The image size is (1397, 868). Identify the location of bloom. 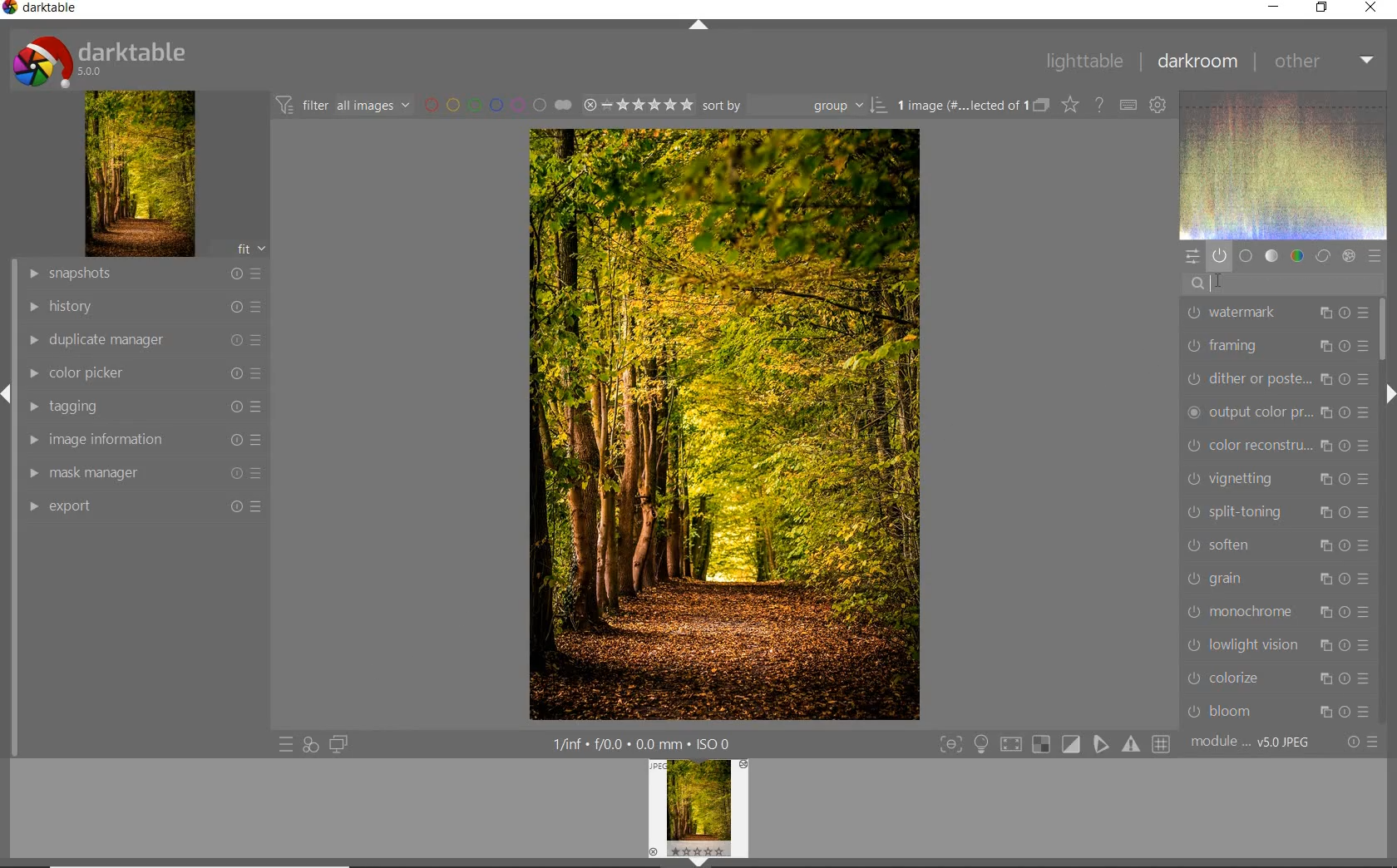
(1277, 711).